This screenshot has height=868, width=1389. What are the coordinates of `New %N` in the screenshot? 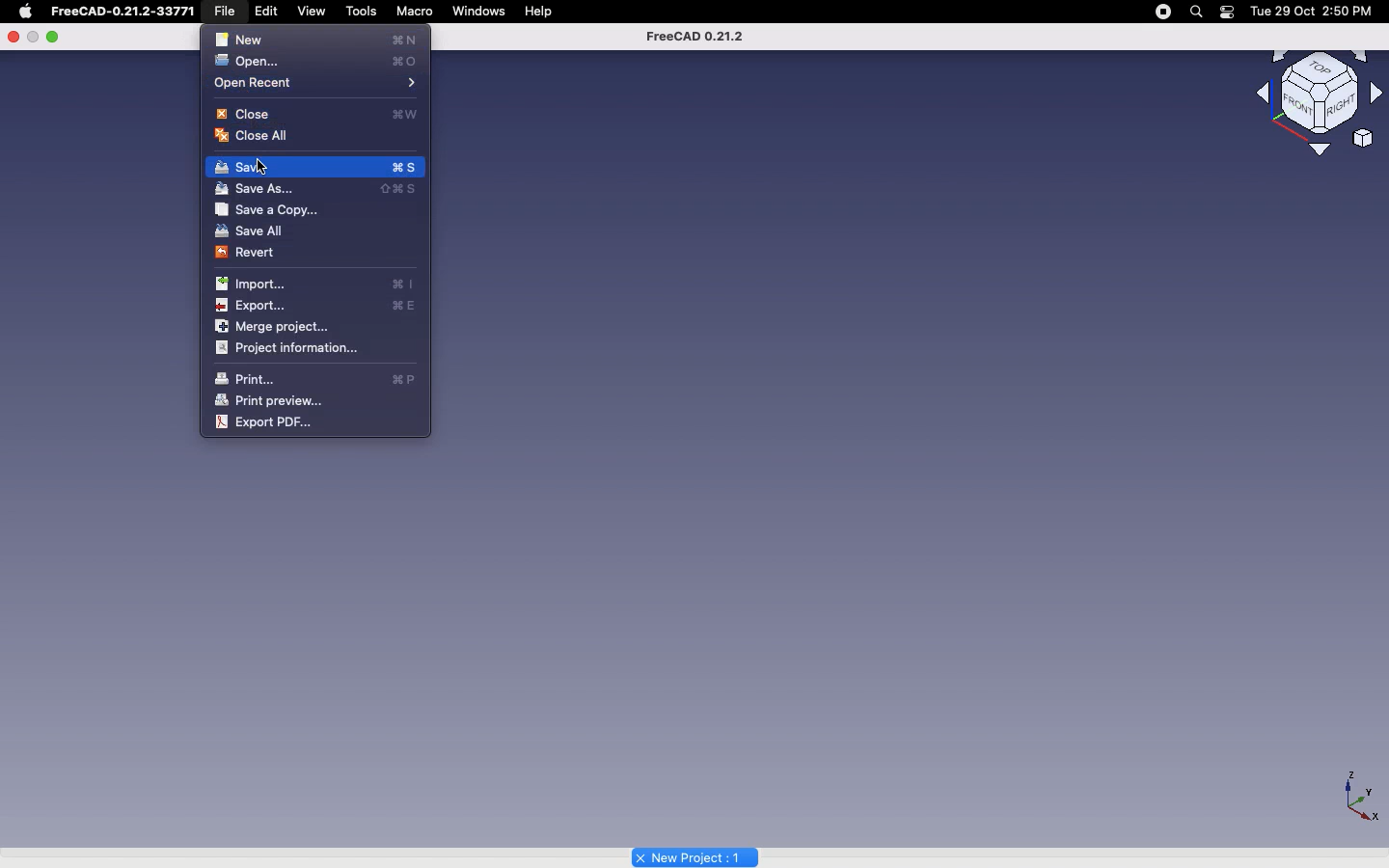 It's located at (317, 39).